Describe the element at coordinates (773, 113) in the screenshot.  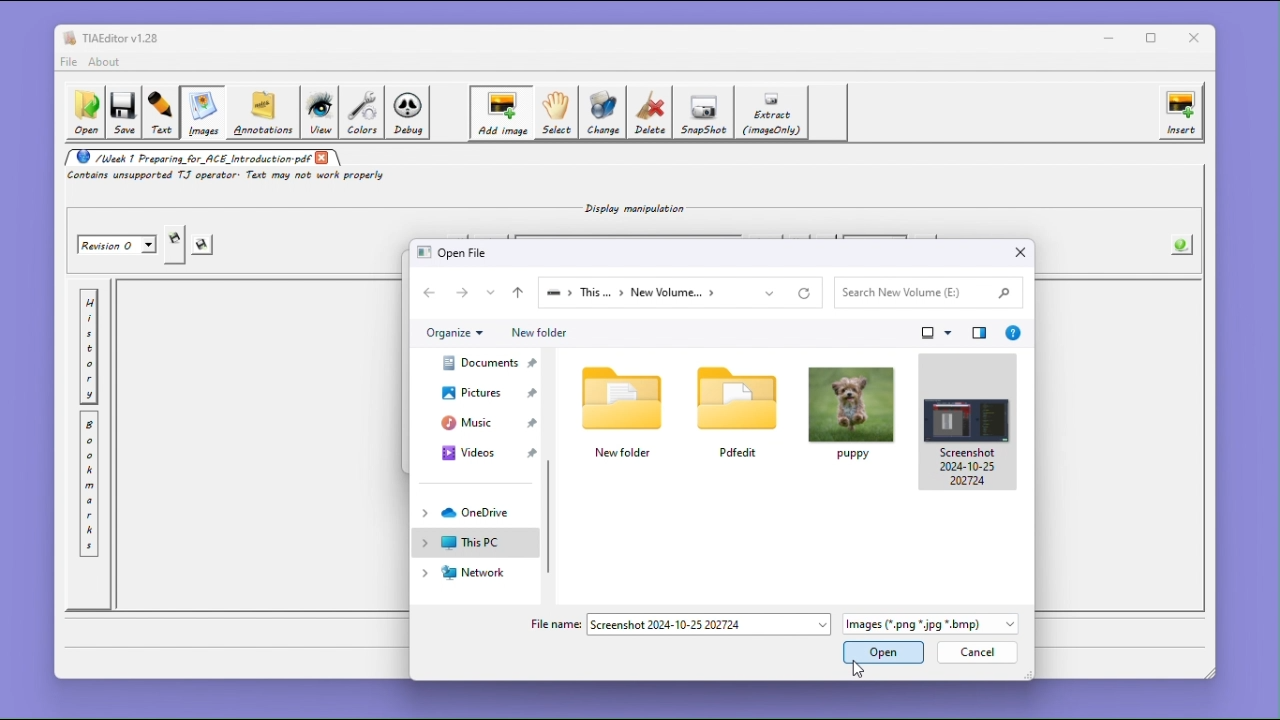
I see `Extract (image only)` at that location.